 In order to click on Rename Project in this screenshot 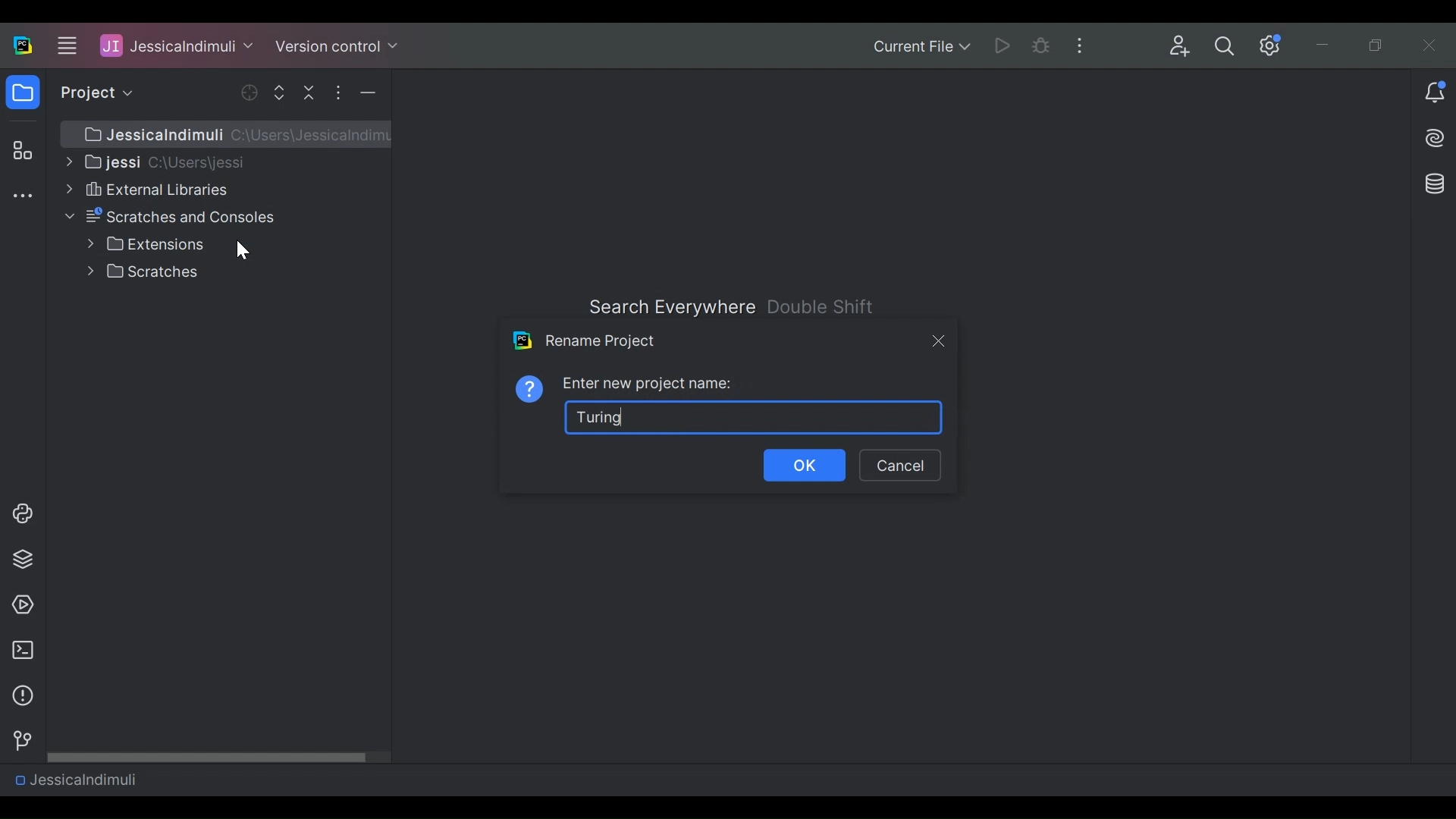, I will do `click(585, 340)`.